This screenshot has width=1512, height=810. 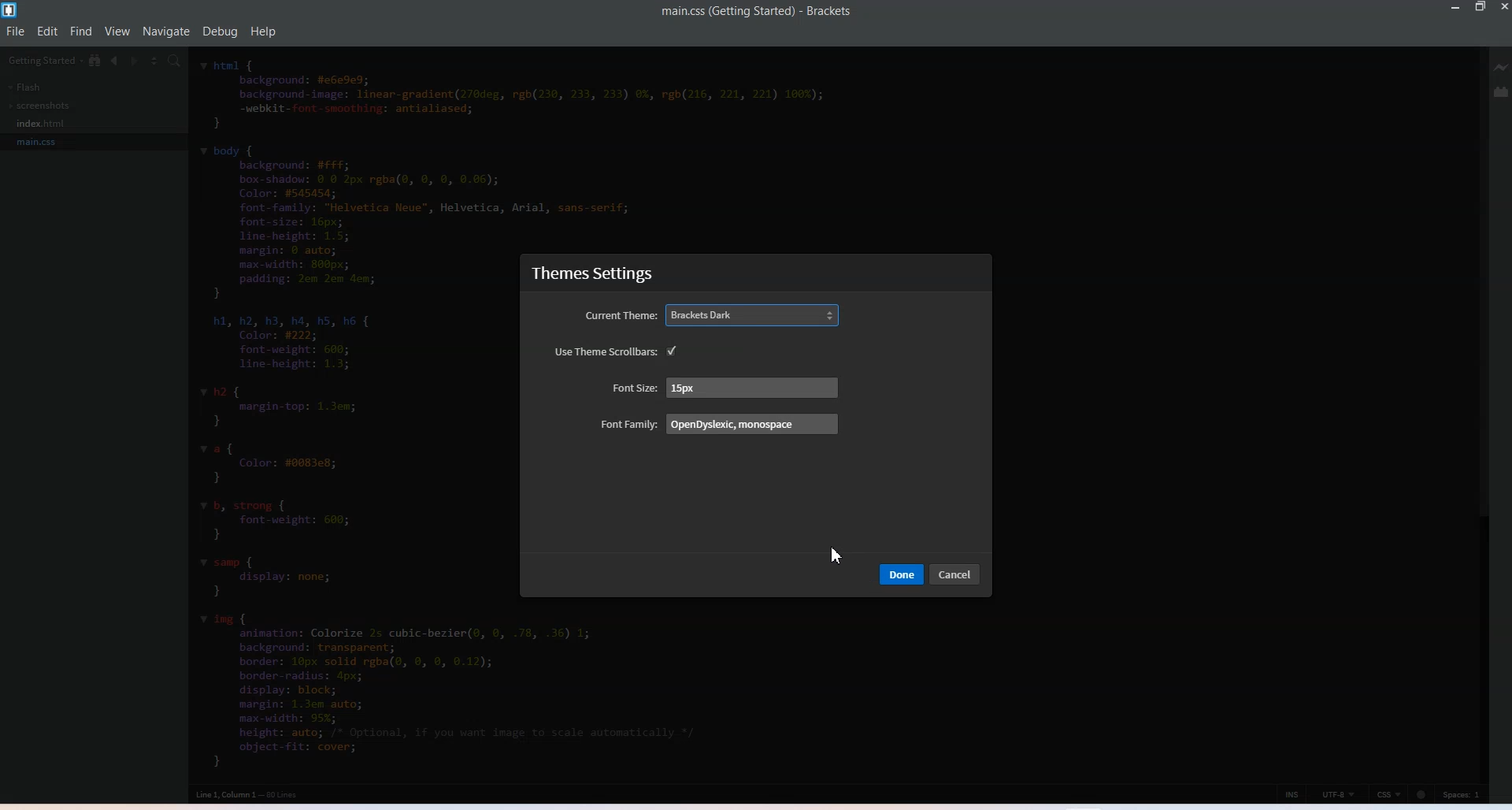 What do you see at coordinates (43, 141) in the screenshot?
I see `main.css` at bounding box center [43, 141].